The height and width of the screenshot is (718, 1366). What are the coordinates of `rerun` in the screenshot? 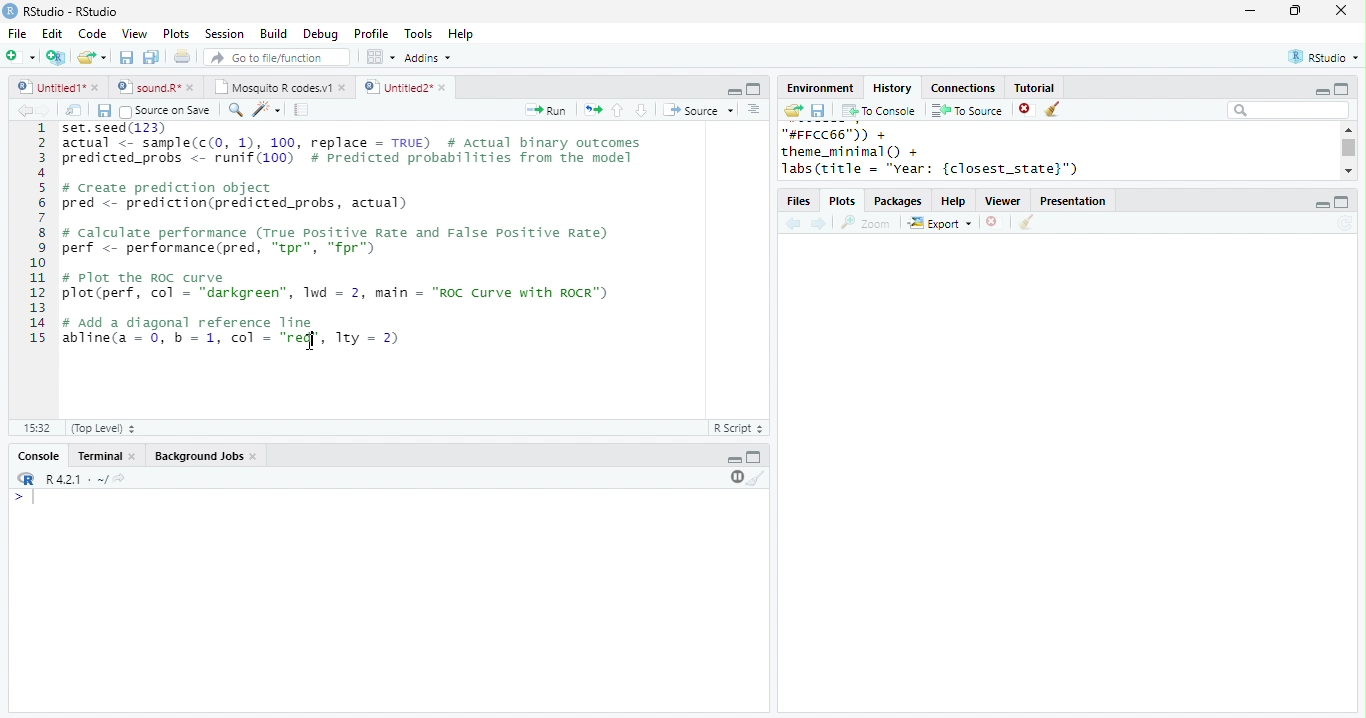 It's located at (593, 110).